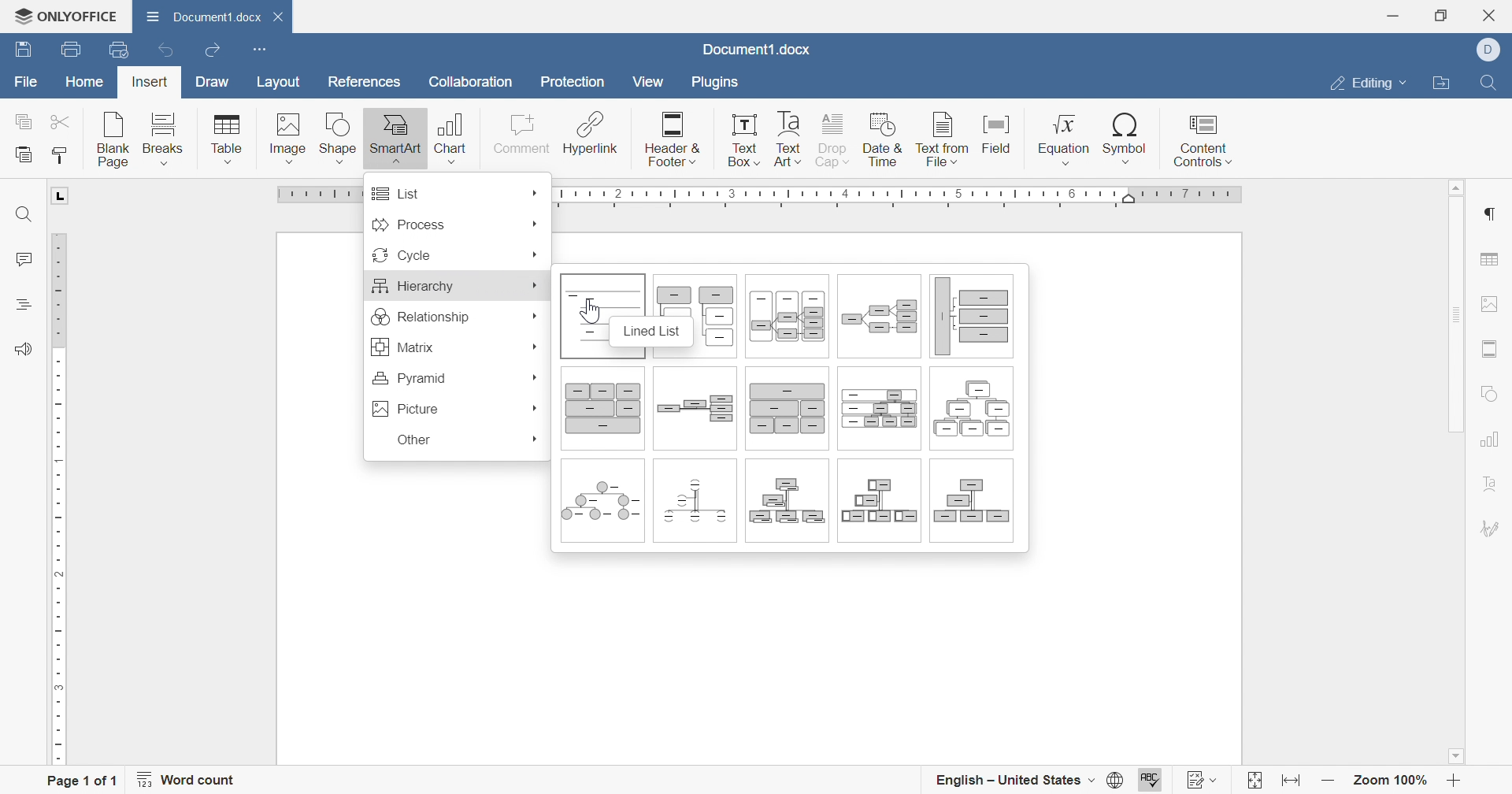 The height and width of the screenshot is (794, 1512). I want to click on Cut, so click(63, 121).